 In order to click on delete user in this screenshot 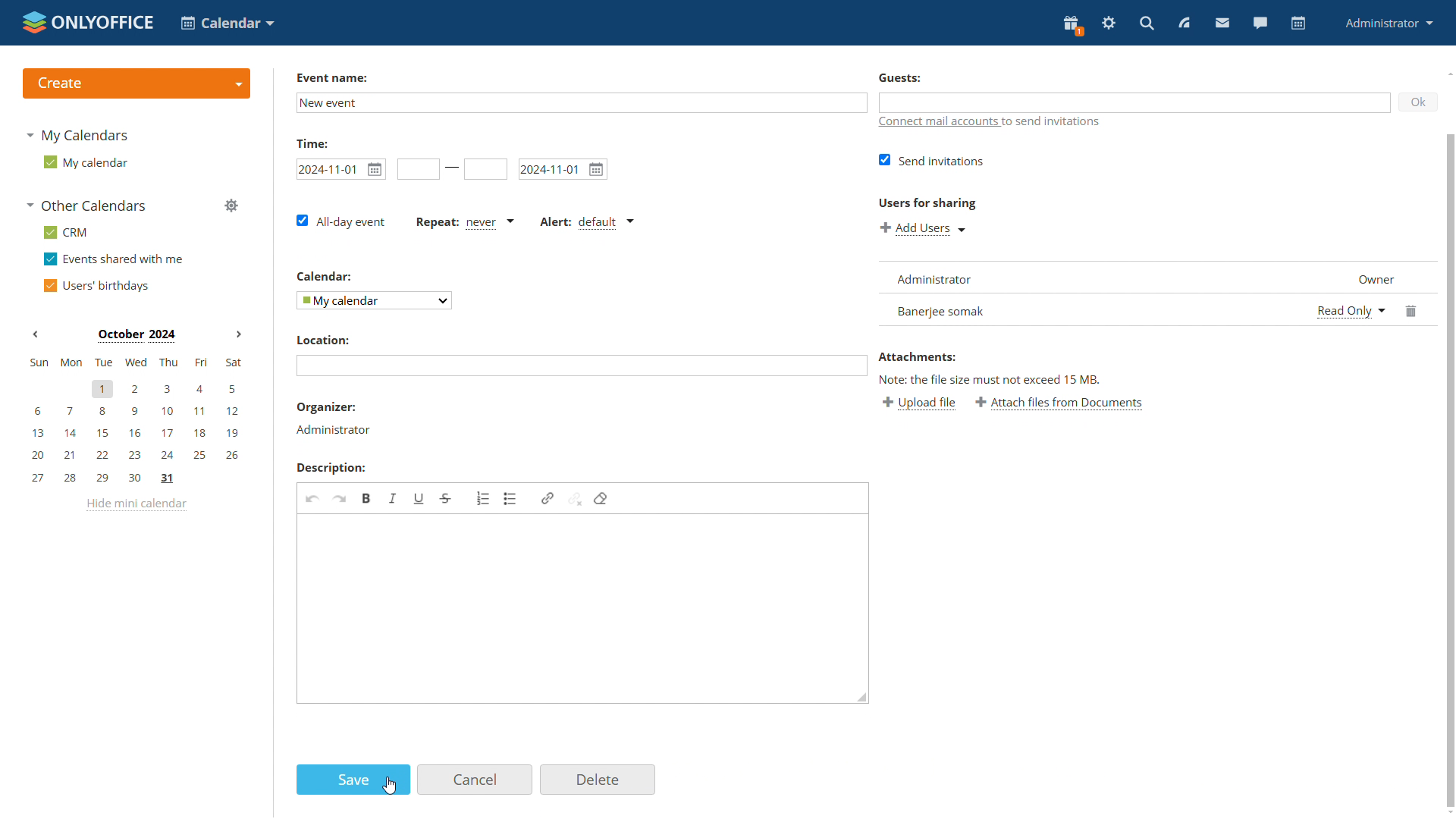, I will do `click(1413, 309)`.